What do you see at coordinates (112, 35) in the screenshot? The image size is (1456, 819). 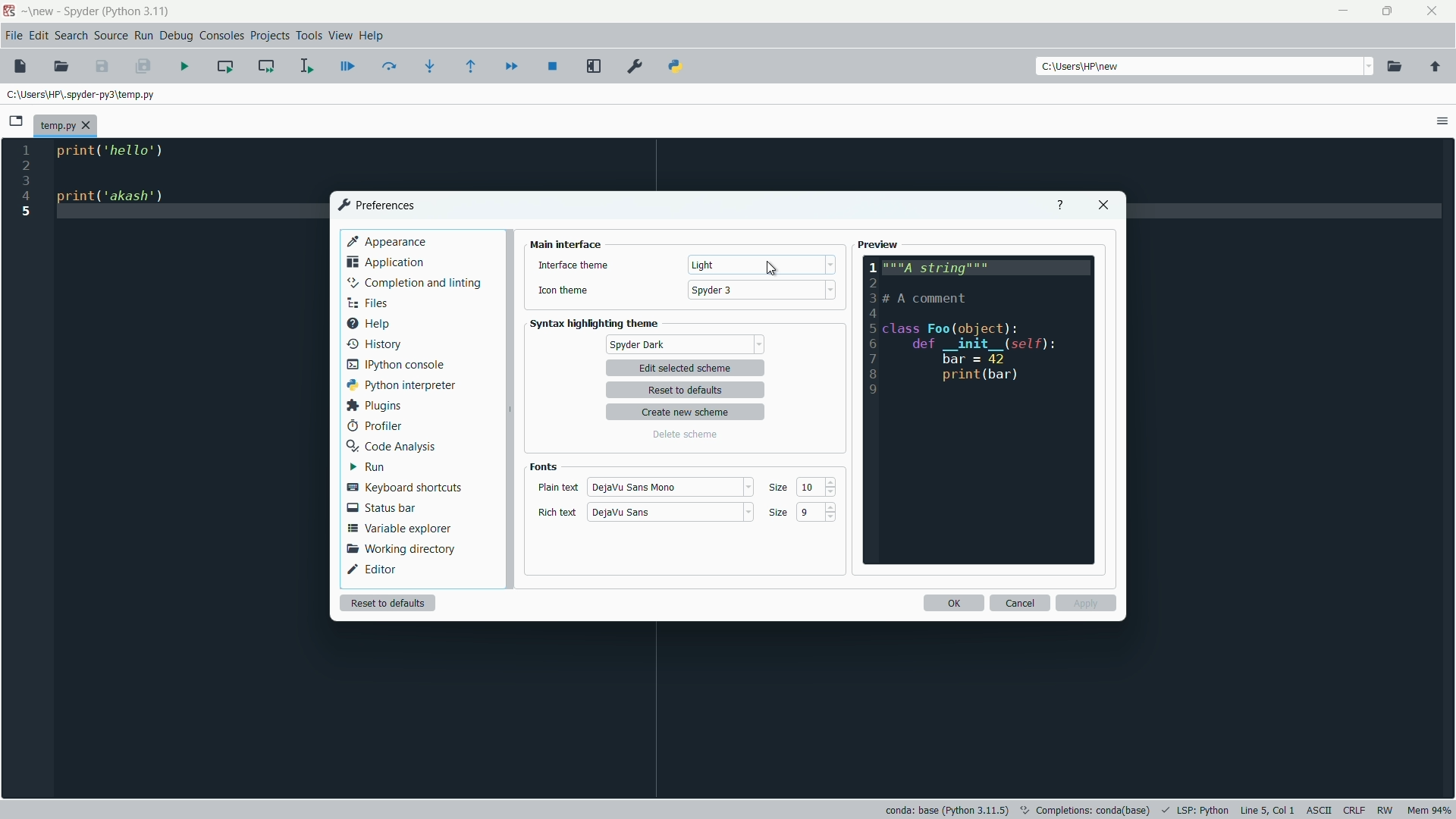 I see `source menu` at bounding box center [112, 35].